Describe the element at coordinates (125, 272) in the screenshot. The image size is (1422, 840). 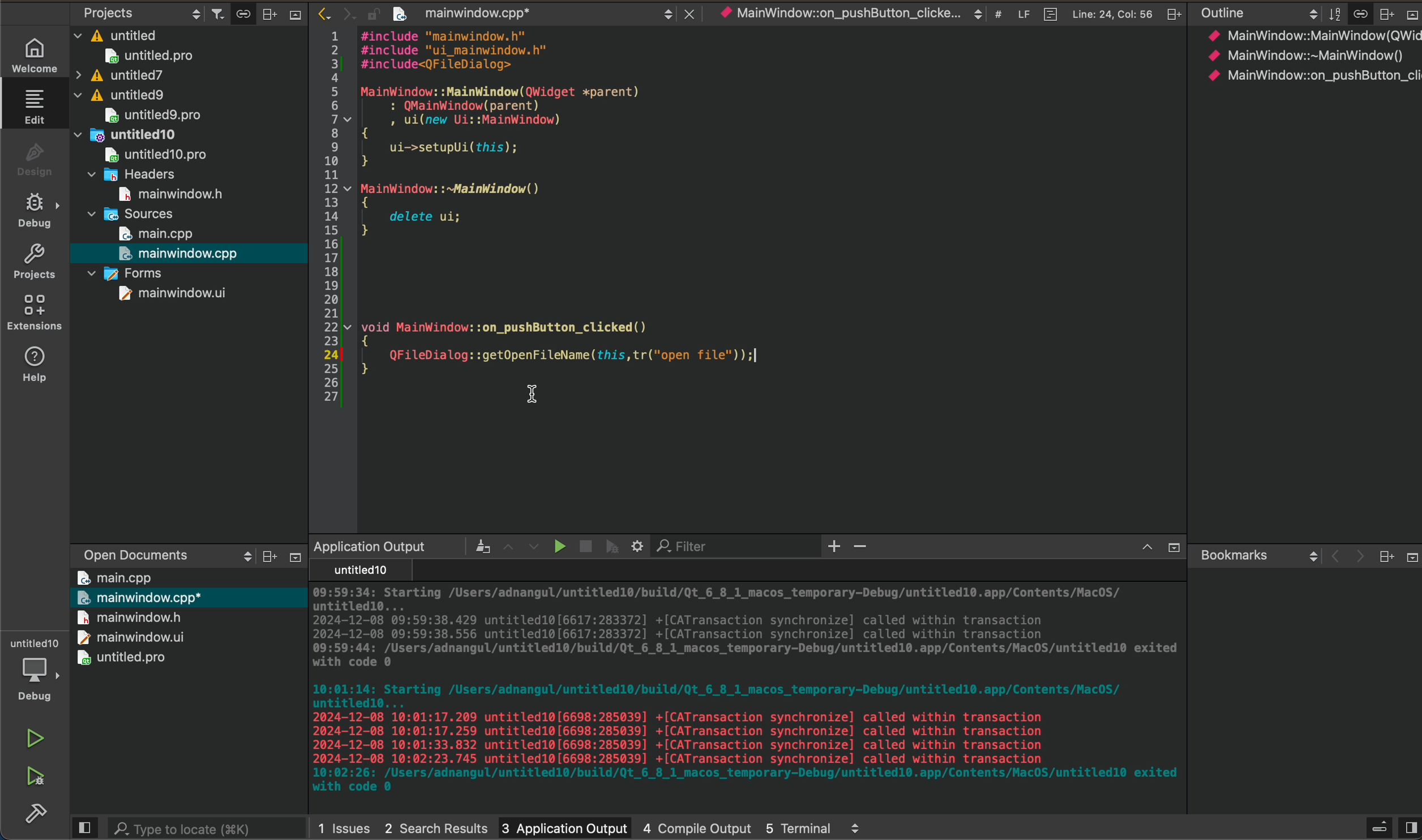
I see `Forms` at that location.